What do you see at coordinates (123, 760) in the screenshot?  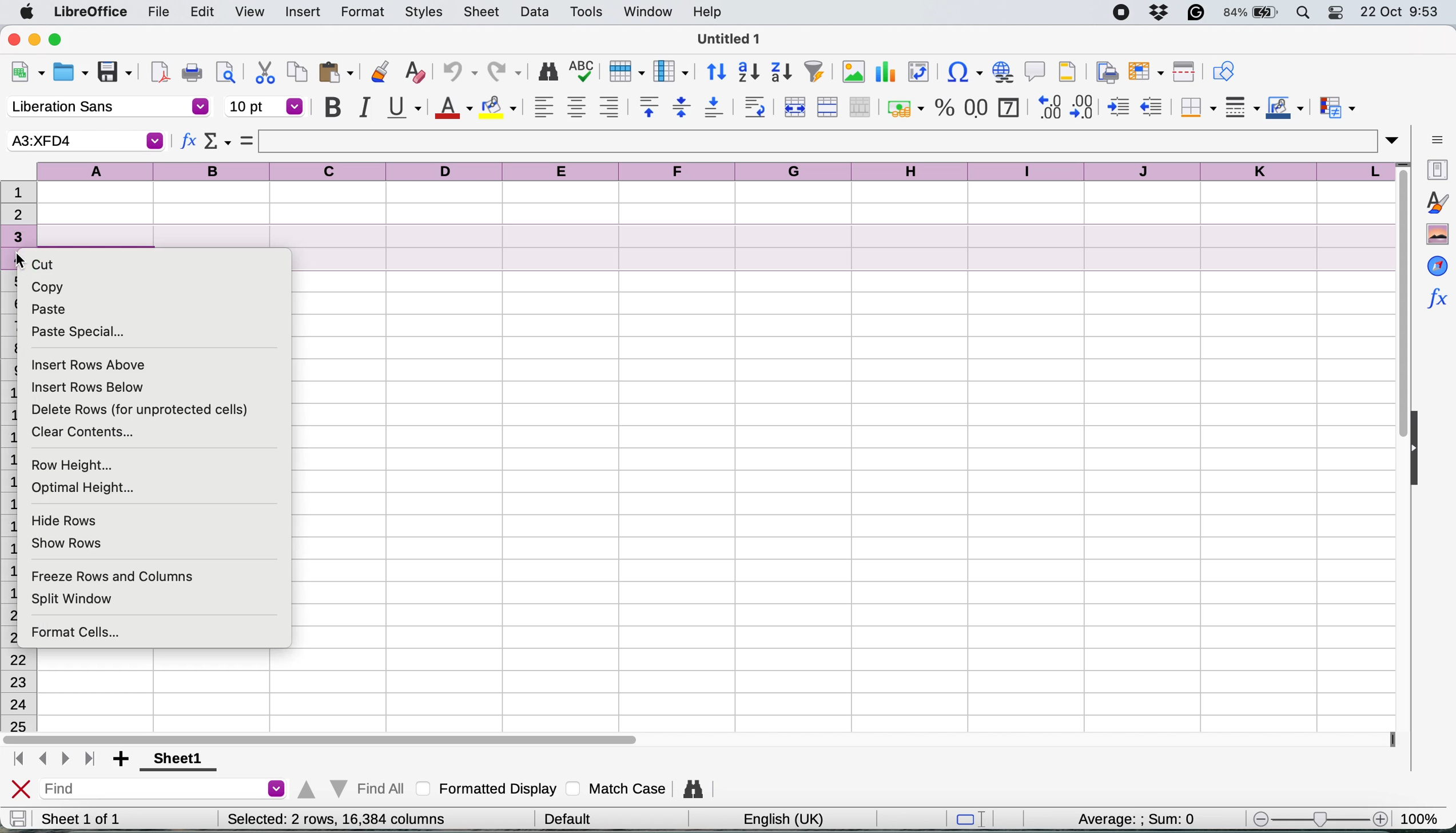 I see `add sheet` at bounding box center [123, 760].